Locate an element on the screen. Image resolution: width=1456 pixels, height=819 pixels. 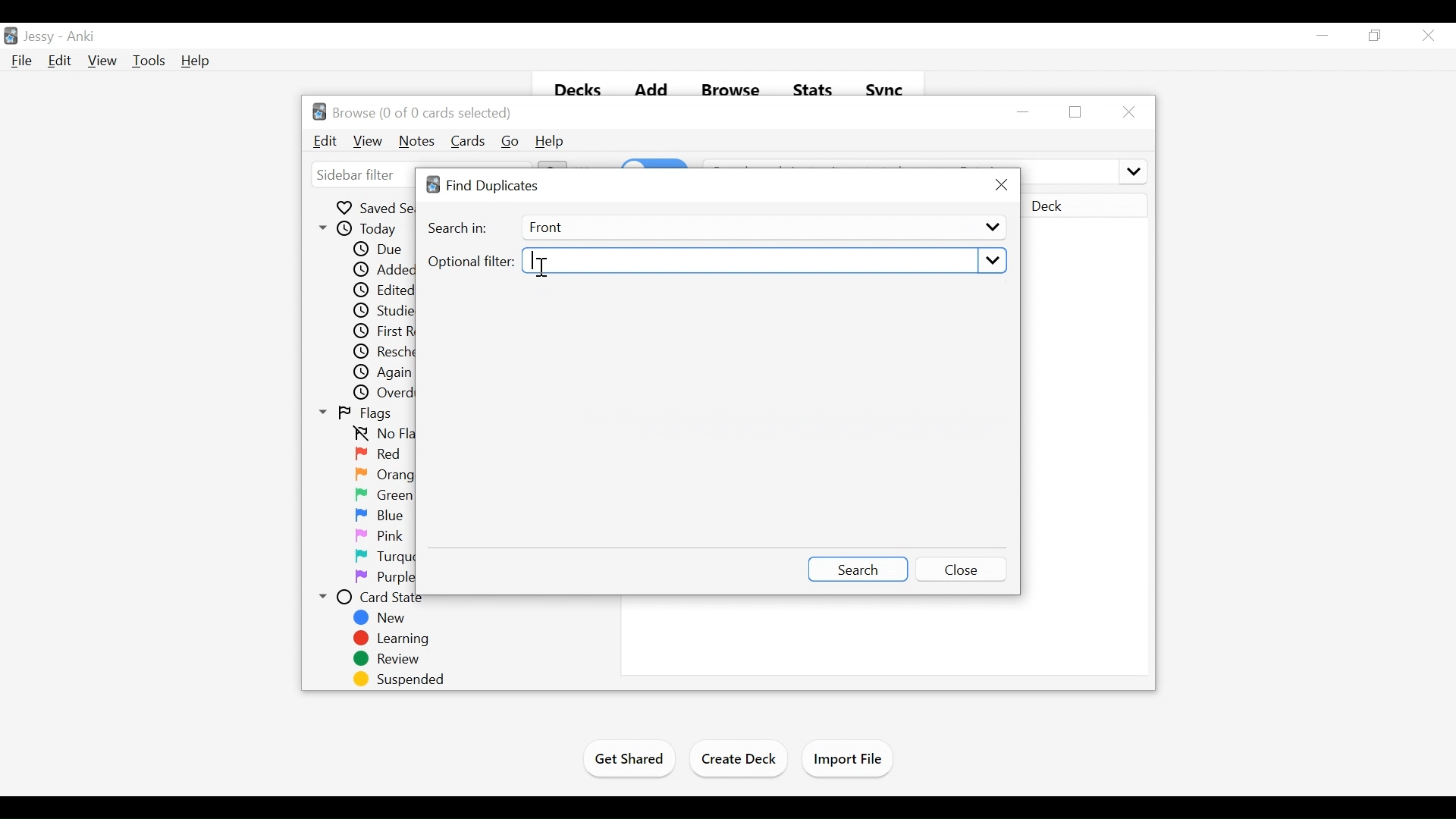
Add is located at coordinates (651, 86).